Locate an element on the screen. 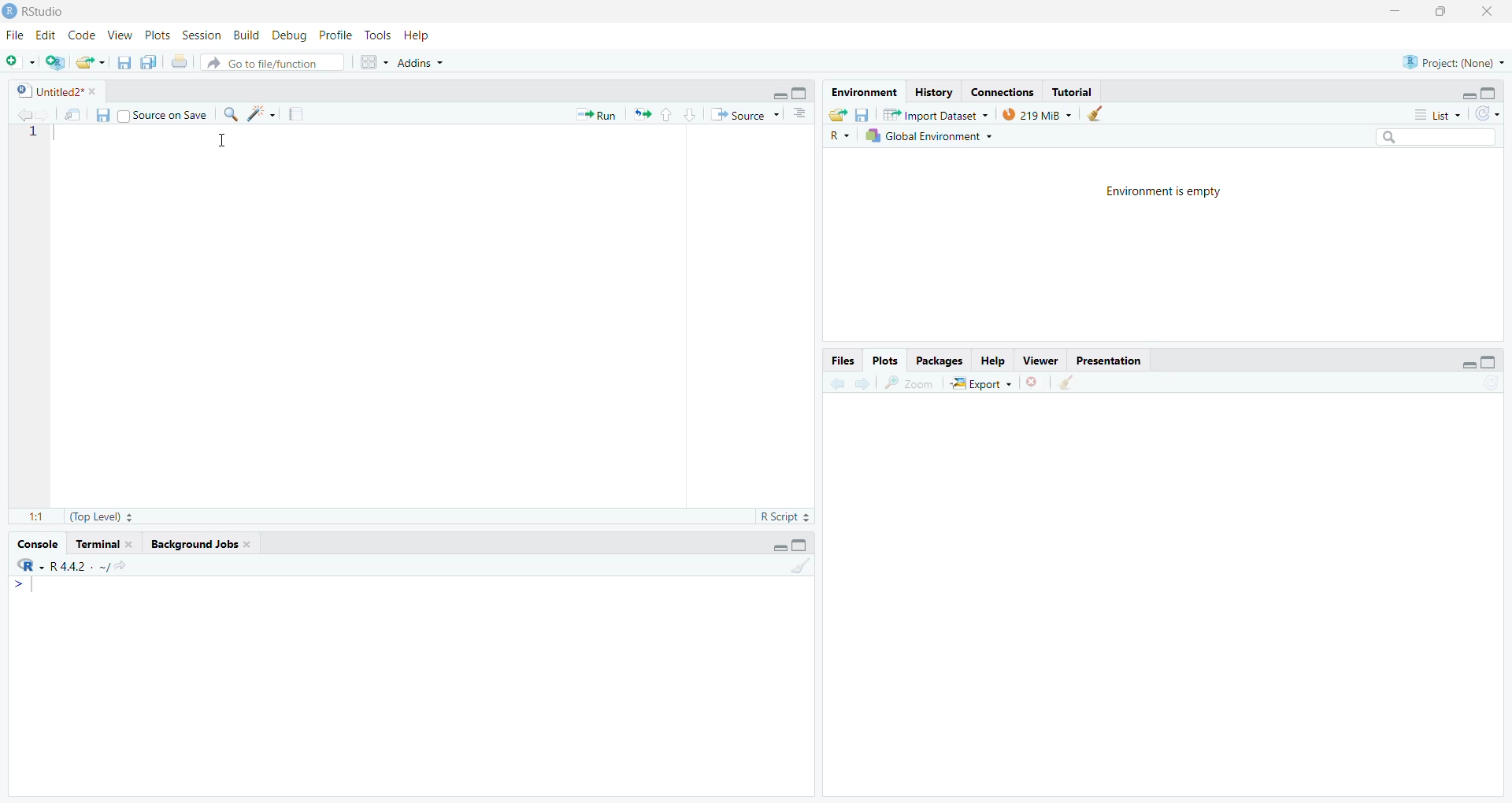 This screenshot has width=1512, height=803. Go to next section is located at coordinates (690, 114).